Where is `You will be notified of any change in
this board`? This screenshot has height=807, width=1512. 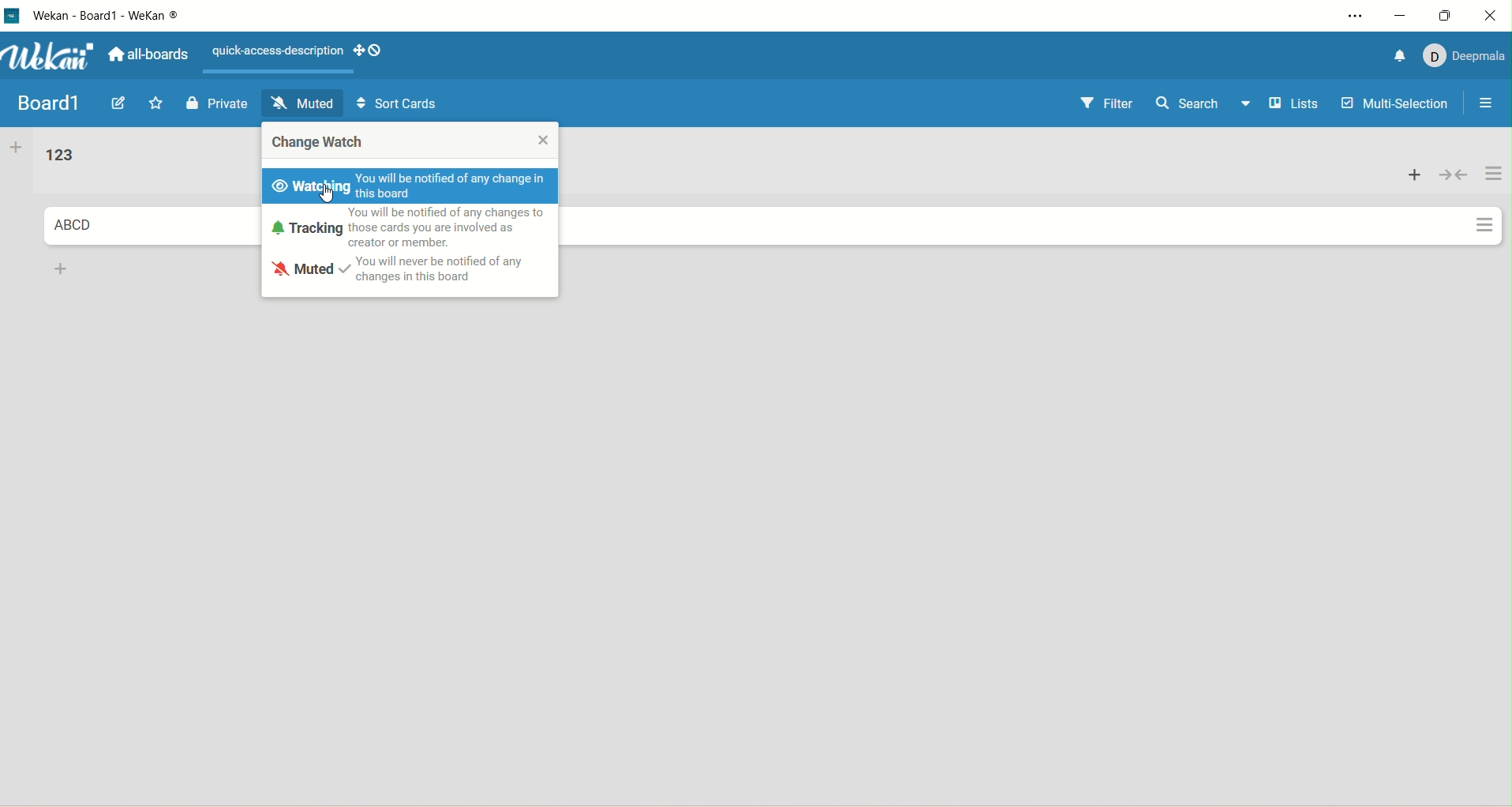
You will be notified of any change in
this board is located at coordinates (458, 187).